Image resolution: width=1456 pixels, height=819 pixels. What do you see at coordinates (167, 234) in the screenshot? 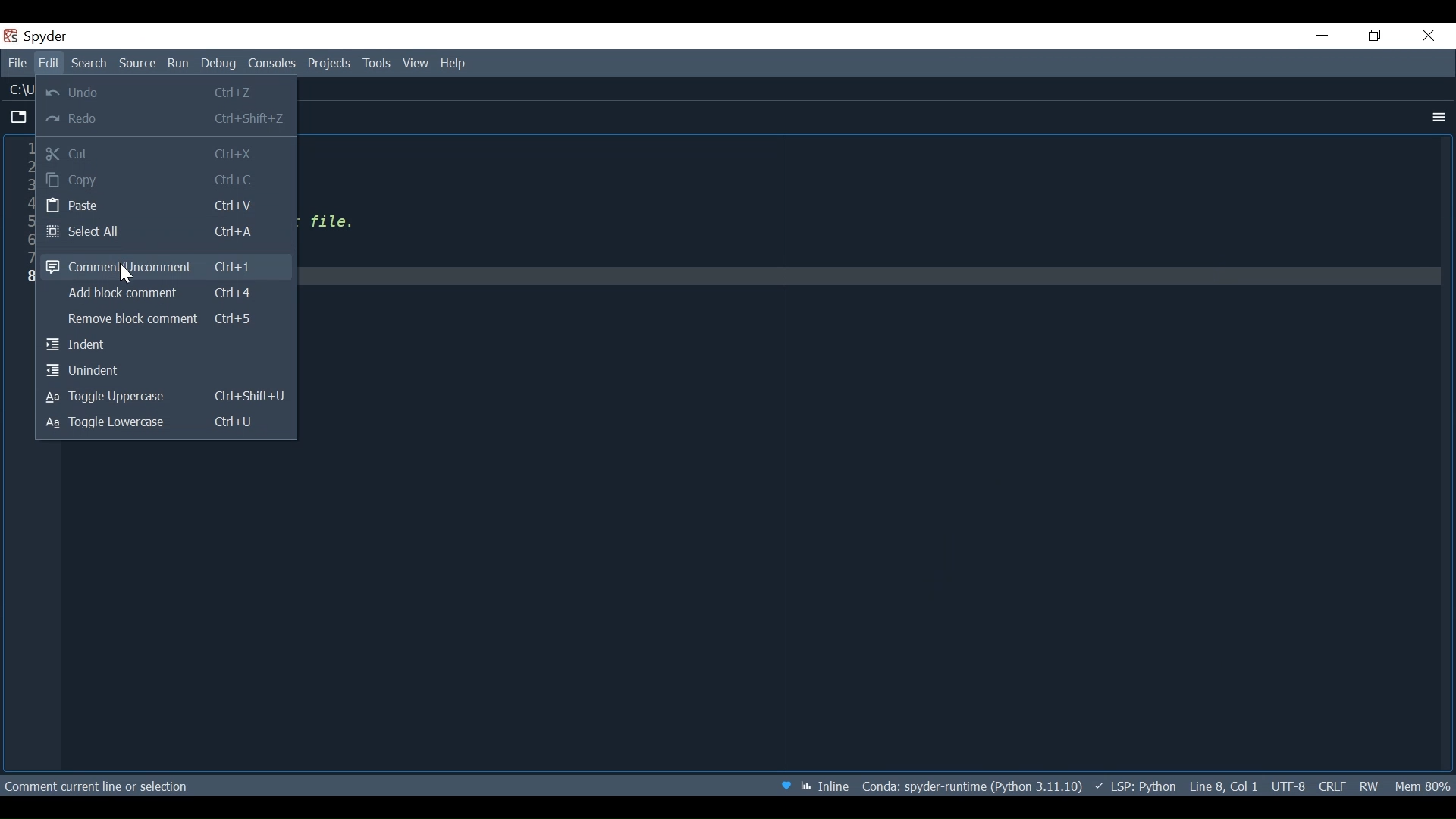
I see `Select All` at bounding box center [167, 234].